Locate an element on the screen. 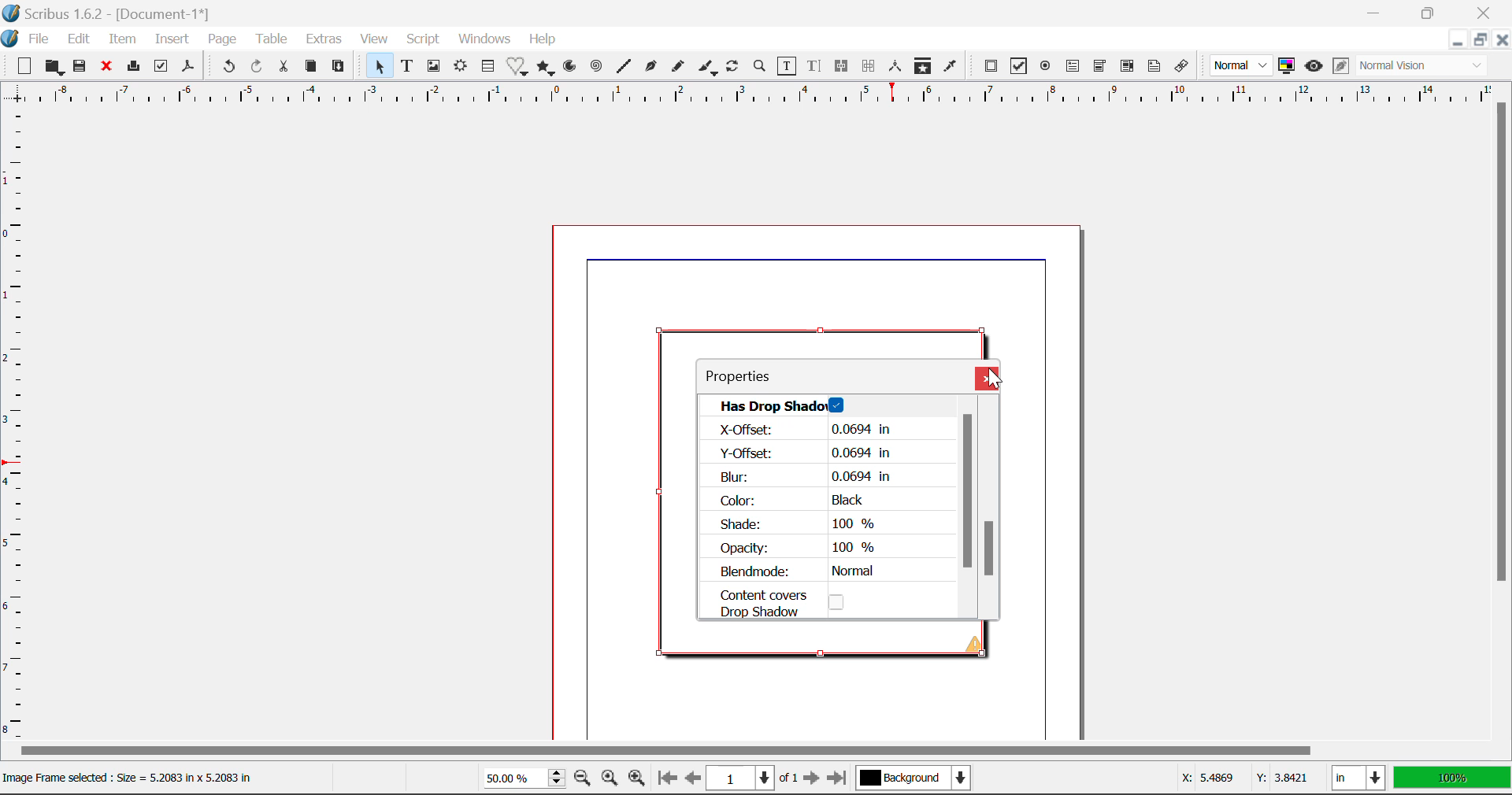 This screenshot has width=1512, height=795. Zoom out is located at coordinates (582, 779).